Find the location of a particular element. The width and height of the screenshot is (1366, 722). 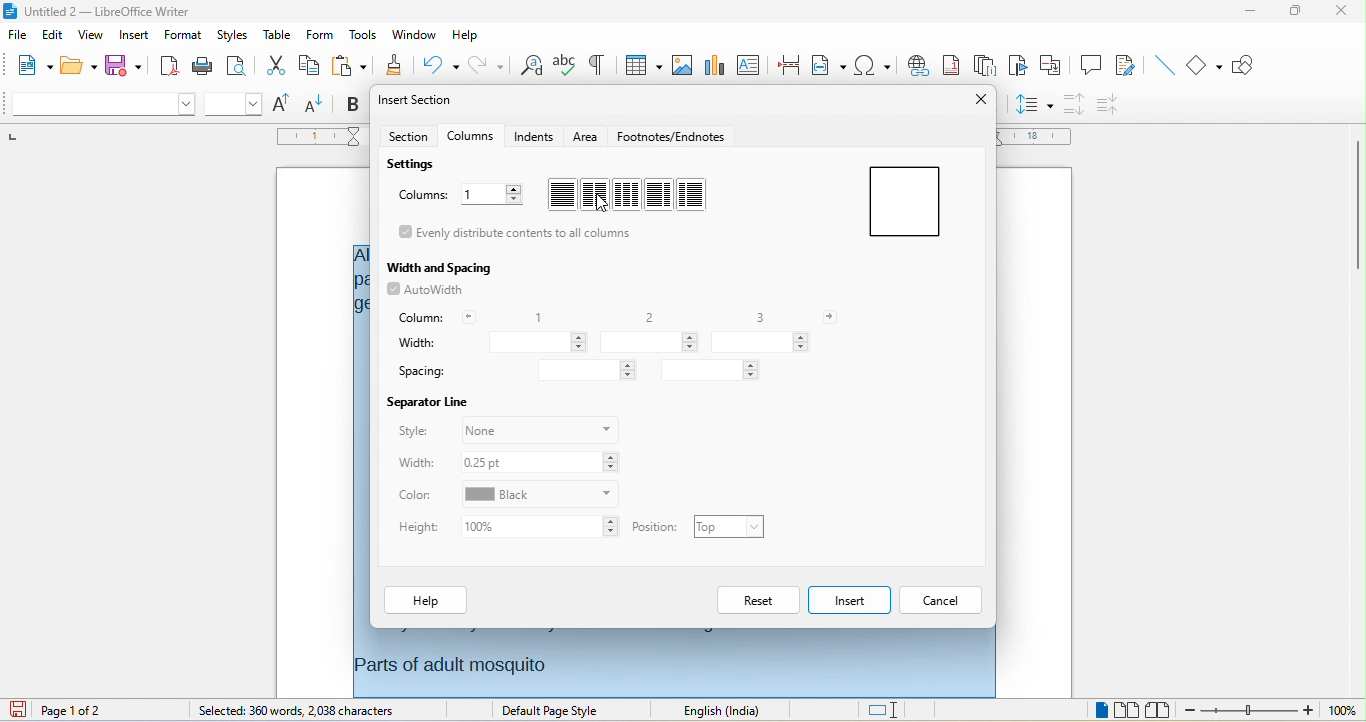

toggle formatting marks is located at coordinates (597, 63).